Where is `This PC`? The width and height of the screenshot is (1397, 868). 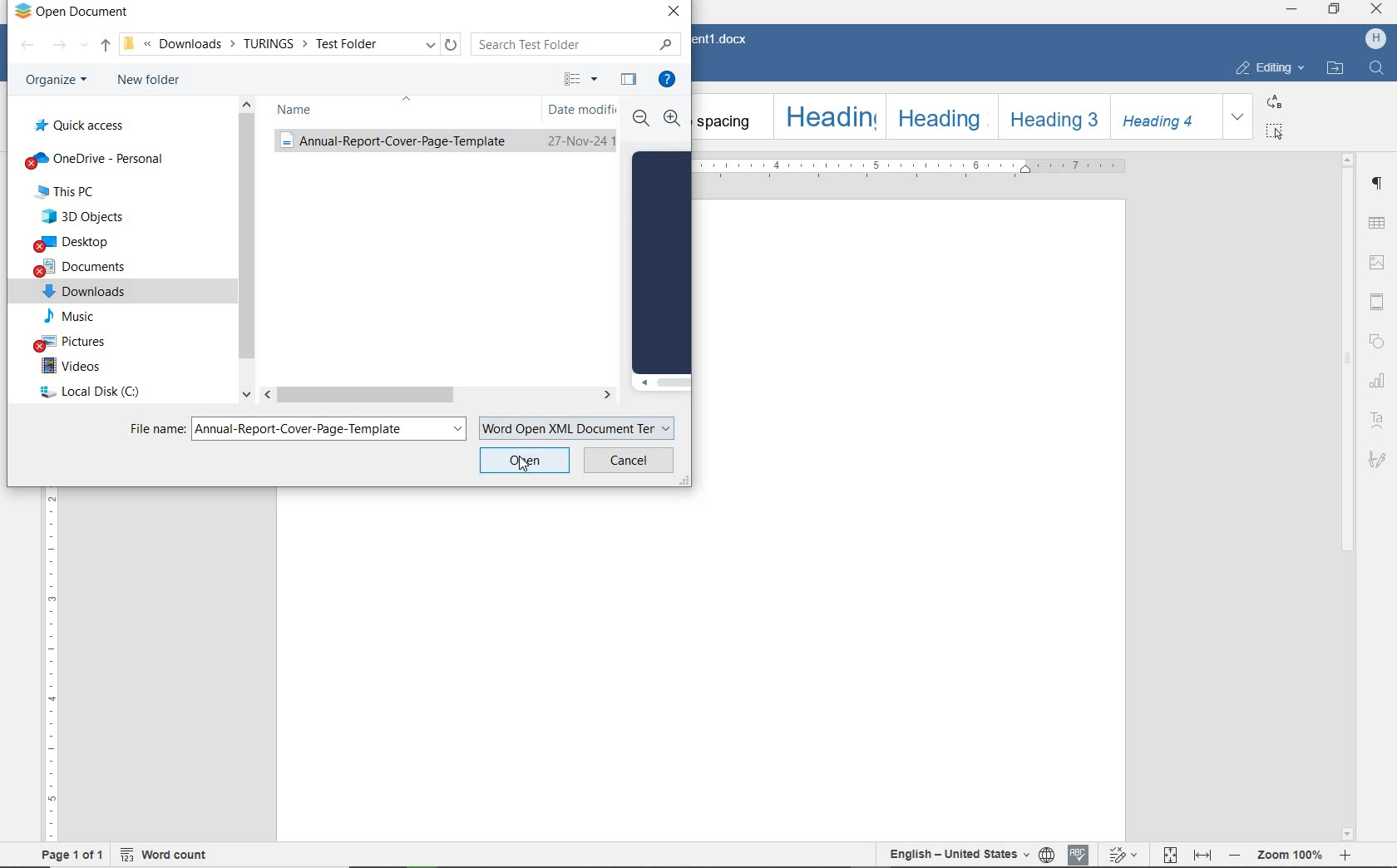 This PC is located at coordinates (78, 192).